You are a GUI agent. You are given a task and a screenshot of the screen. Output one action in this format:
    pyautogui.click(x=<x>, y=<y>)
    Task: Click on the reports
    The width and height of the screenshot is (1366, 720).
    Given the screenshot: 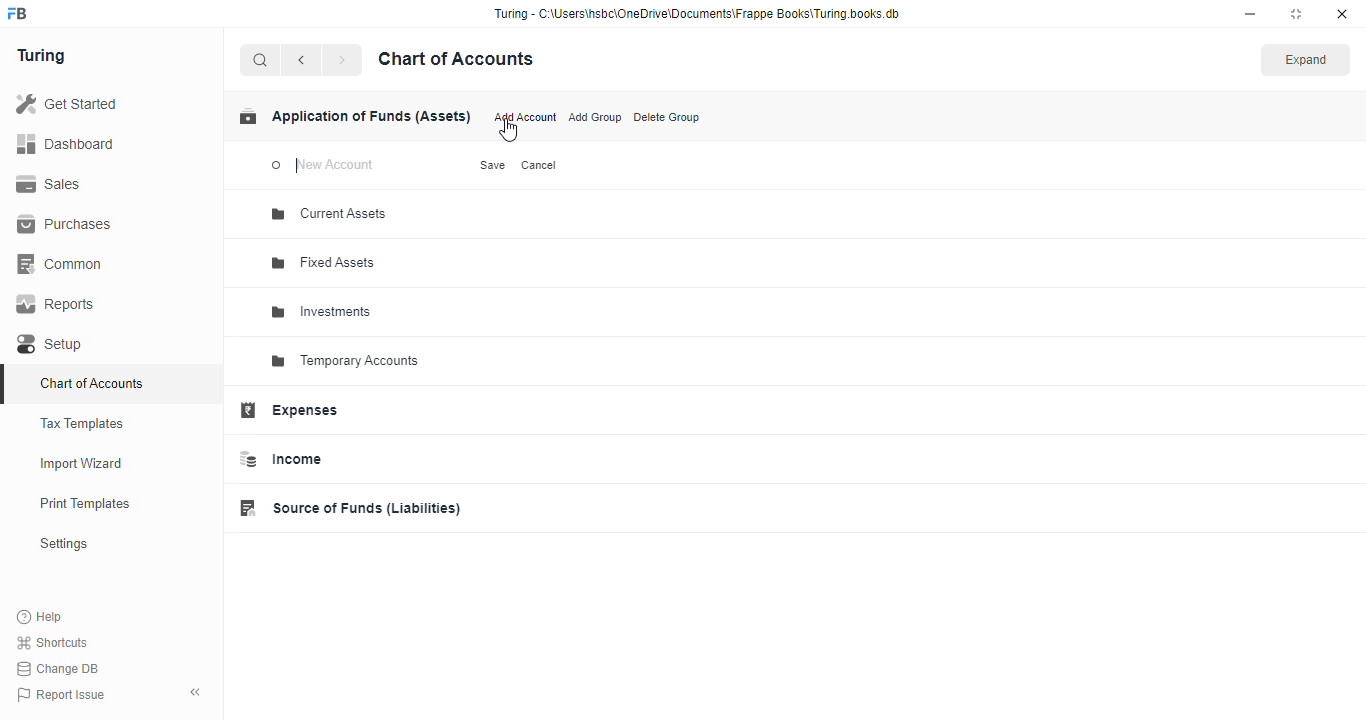 What is the action you would take?
    pyautogui.click(x=56, y=304)
    